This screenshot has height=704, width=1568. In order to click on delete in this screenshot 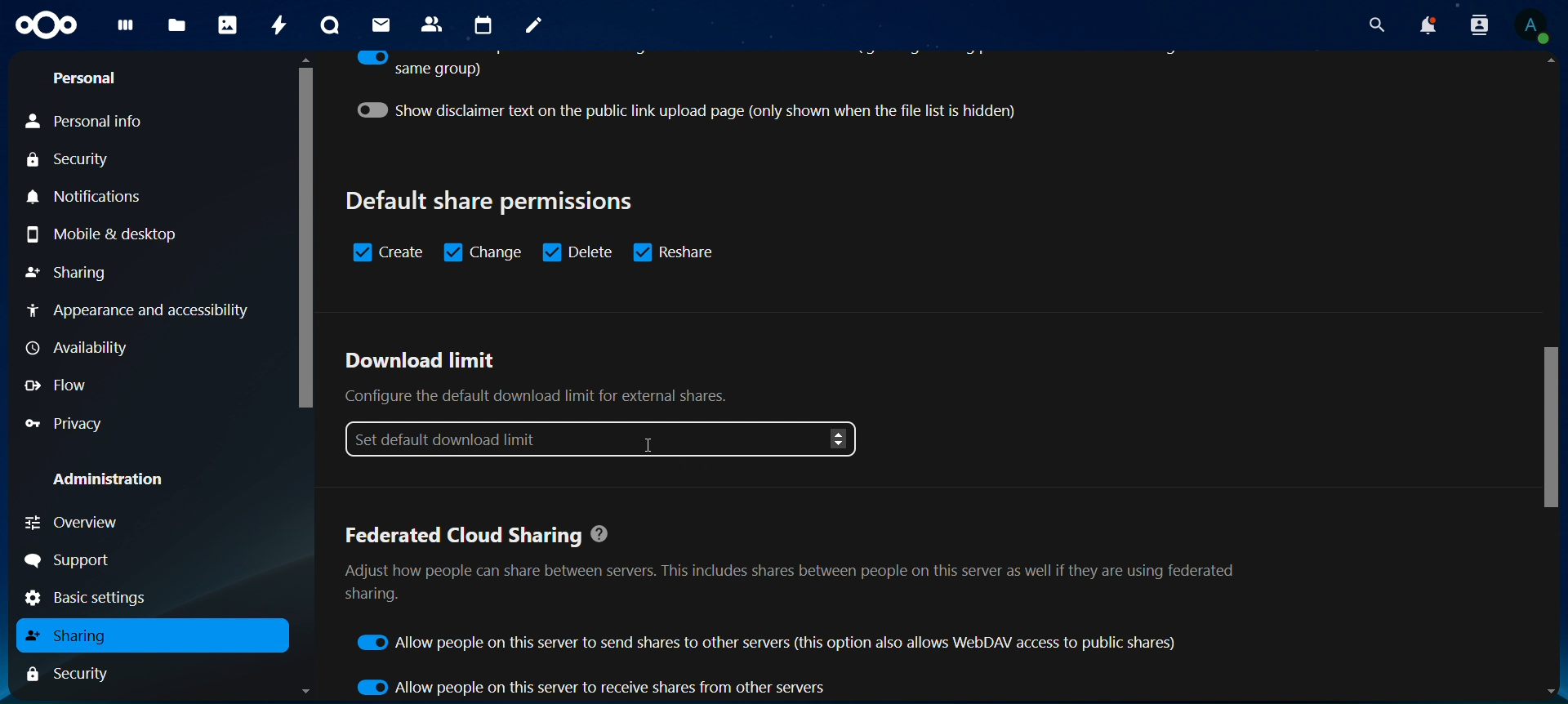, I will do `click(577, 251)`.